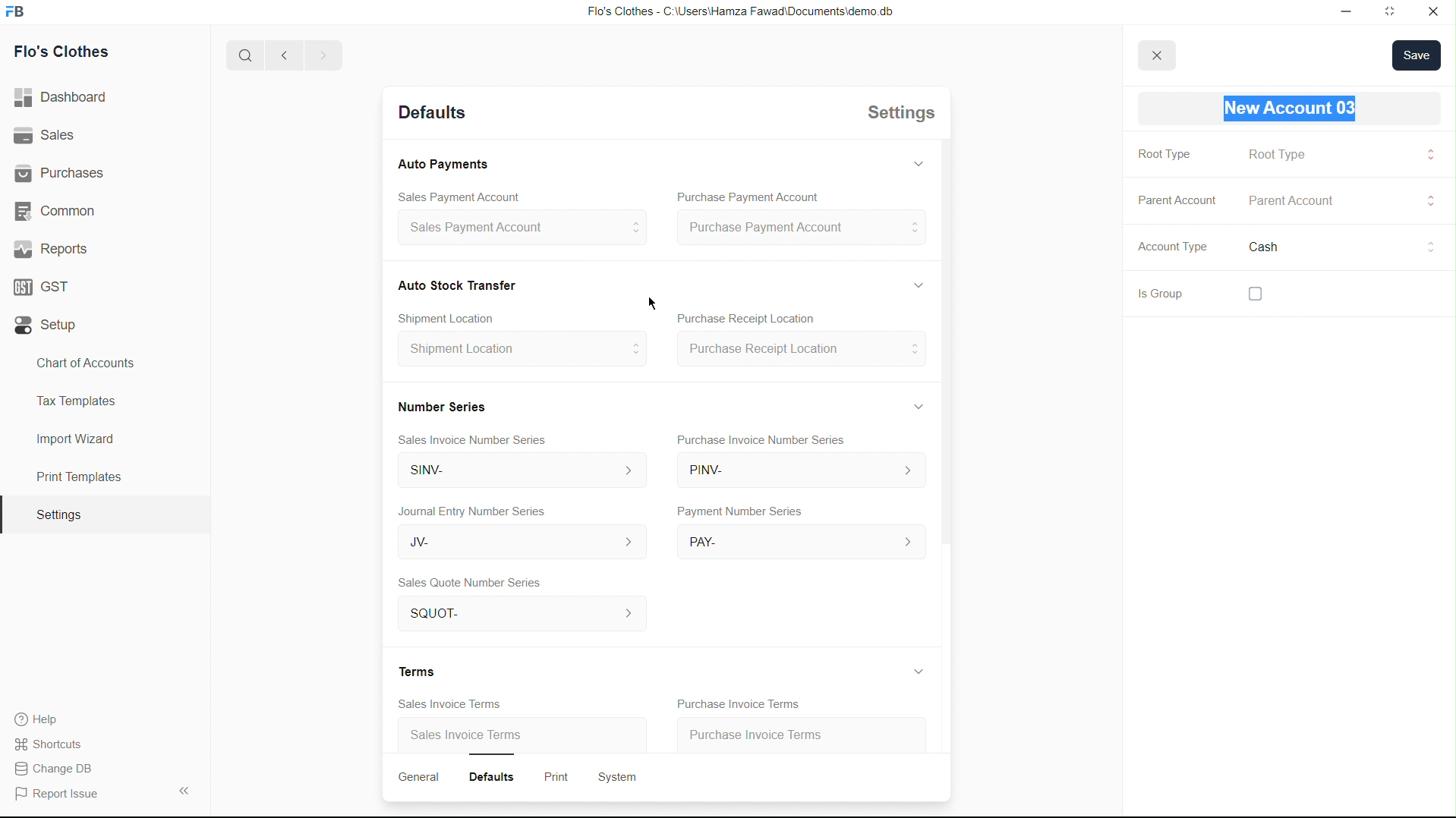 This screenshot has height=818, width=1456. Describe the element at coordinates (47, 283) in the screenshot. I see `GST` at that location.